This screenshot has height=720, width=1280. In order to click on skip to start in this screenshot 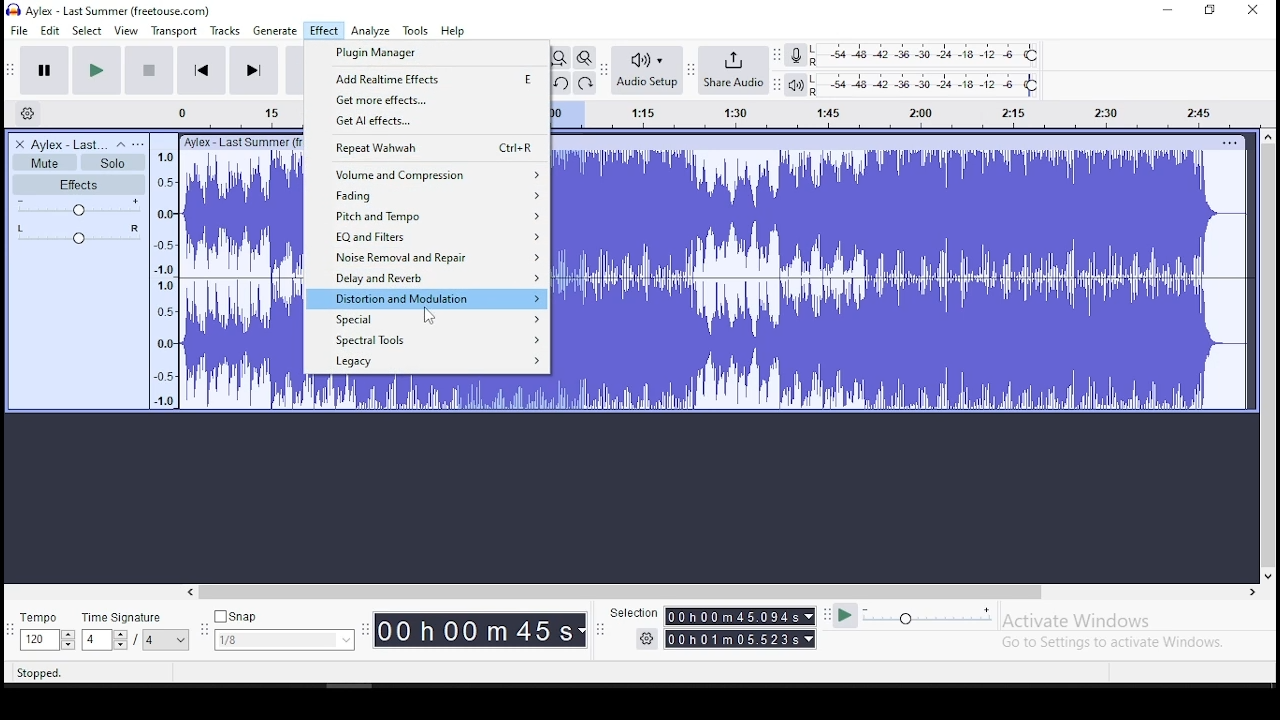, I will do `click(201, 71)`.